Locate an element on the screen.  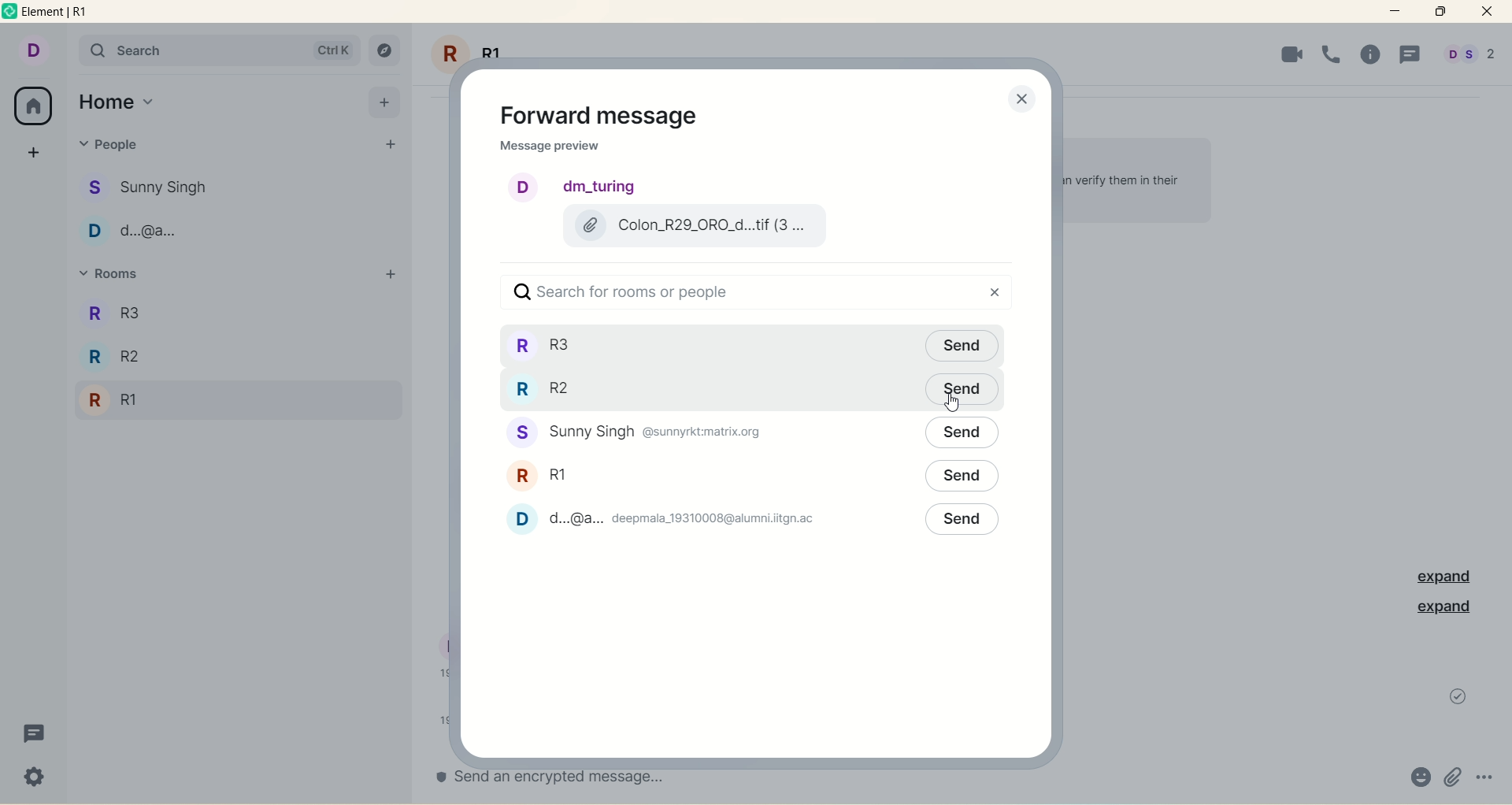
R1 is located at coordinates (119, 402).